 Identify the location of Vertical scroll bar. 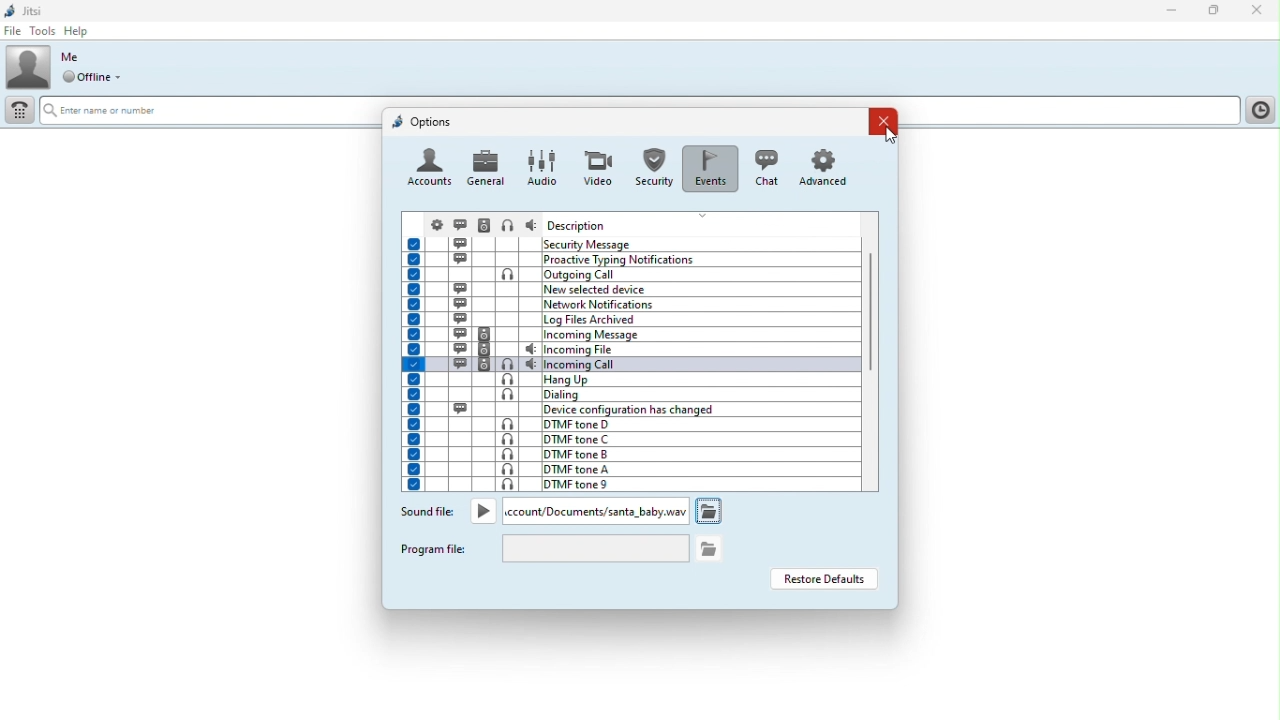
(873, 336).